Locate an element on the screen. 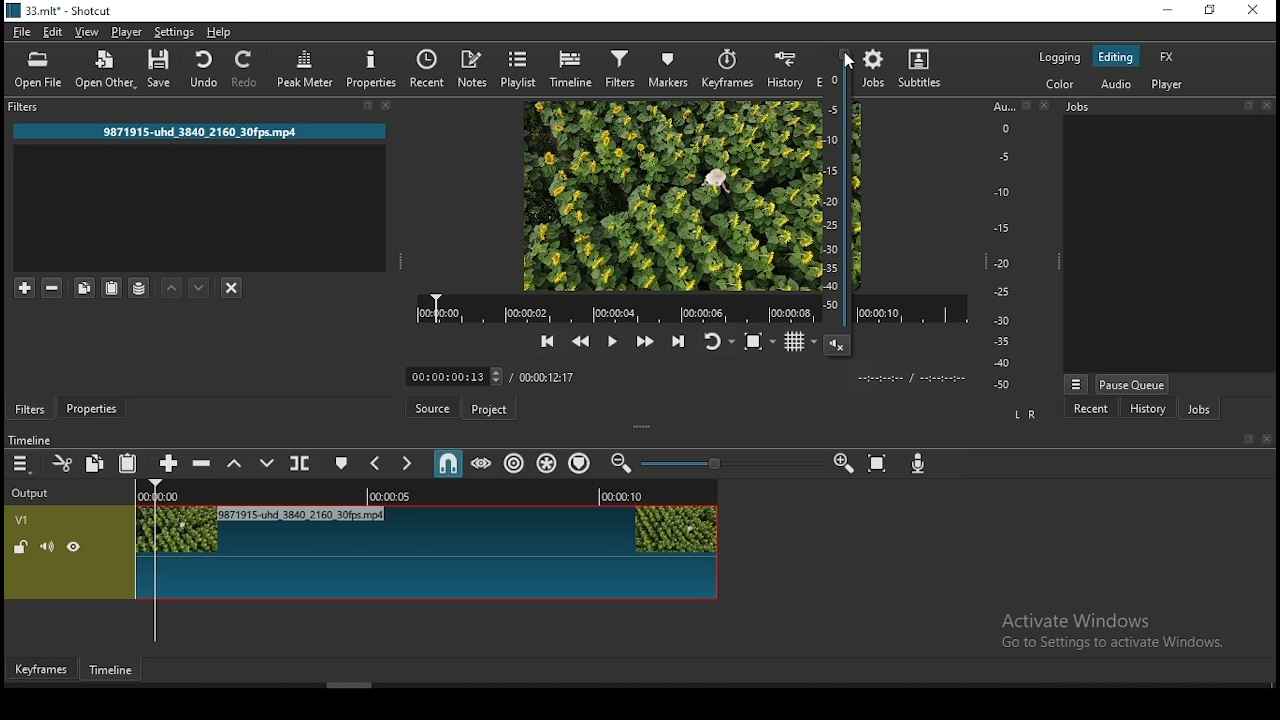 The image size is (1280, 720). timeline is located at coordinates (111, 667).